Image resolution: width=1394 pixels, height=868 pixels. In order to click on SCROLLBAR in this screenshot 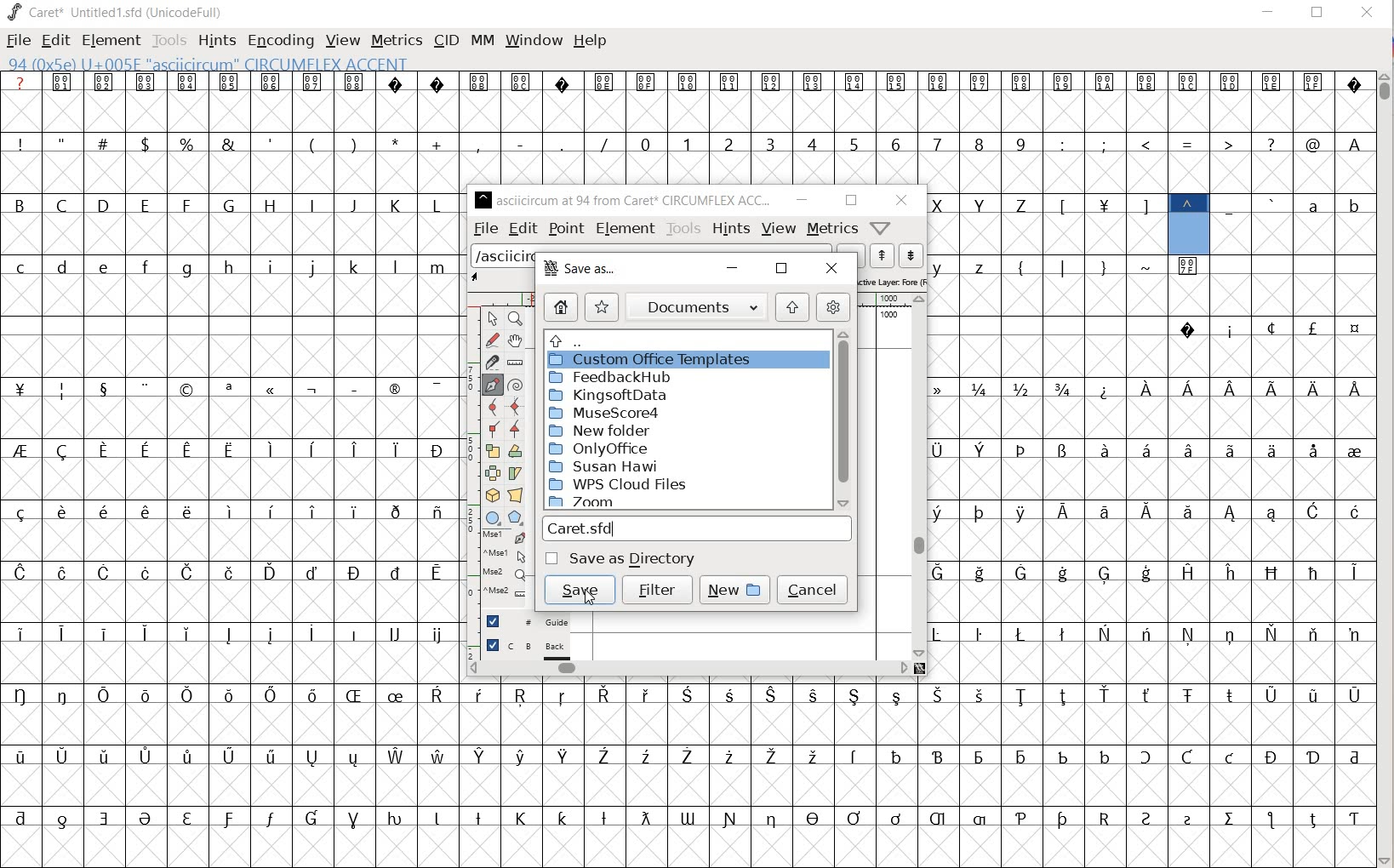, I will do `click(853, 670)`.